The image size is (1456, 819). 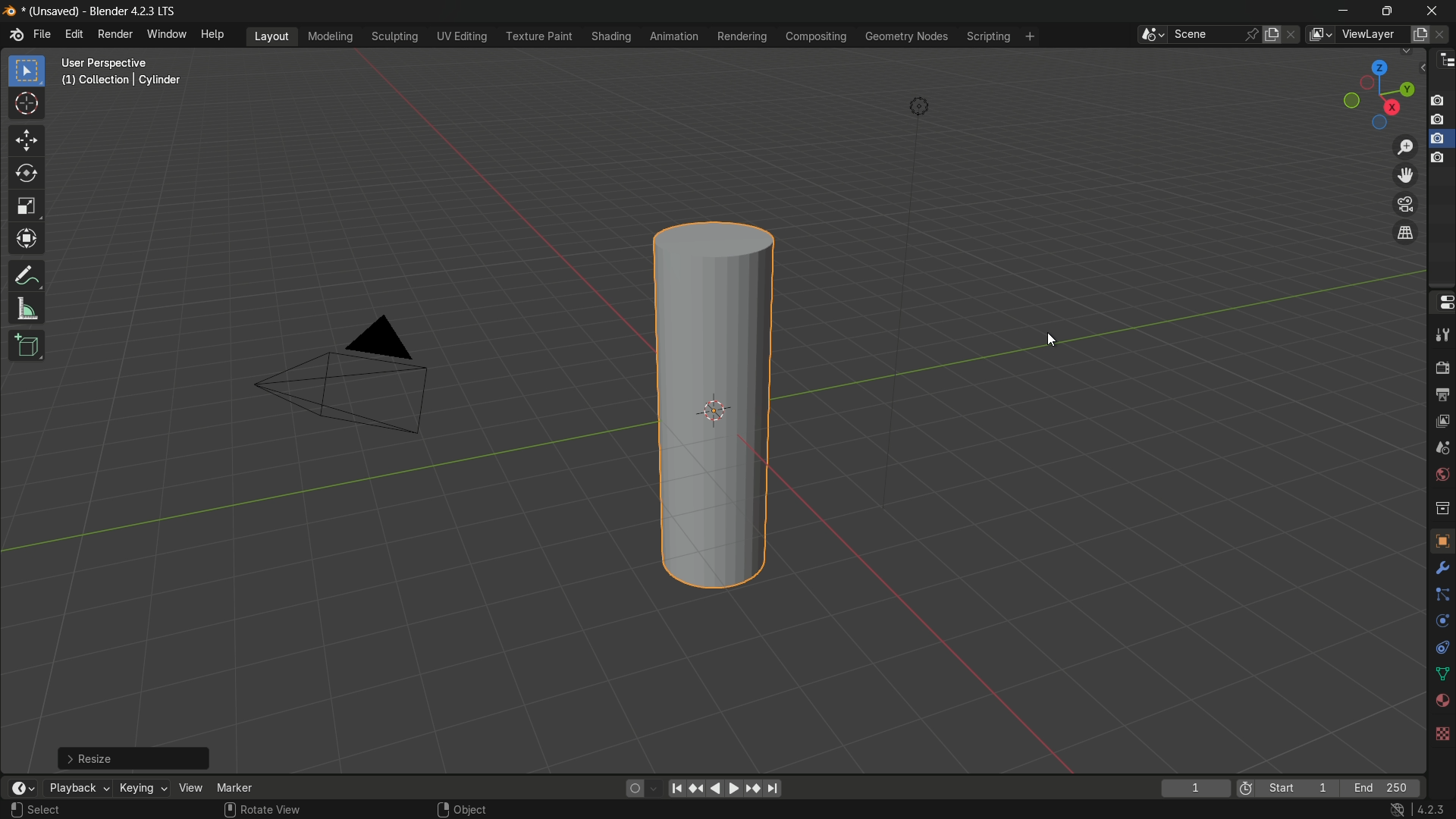 What do you see at coordinates (538, 36) in the screenshot?
I see `texture paint` at bounding box center [538, 36].